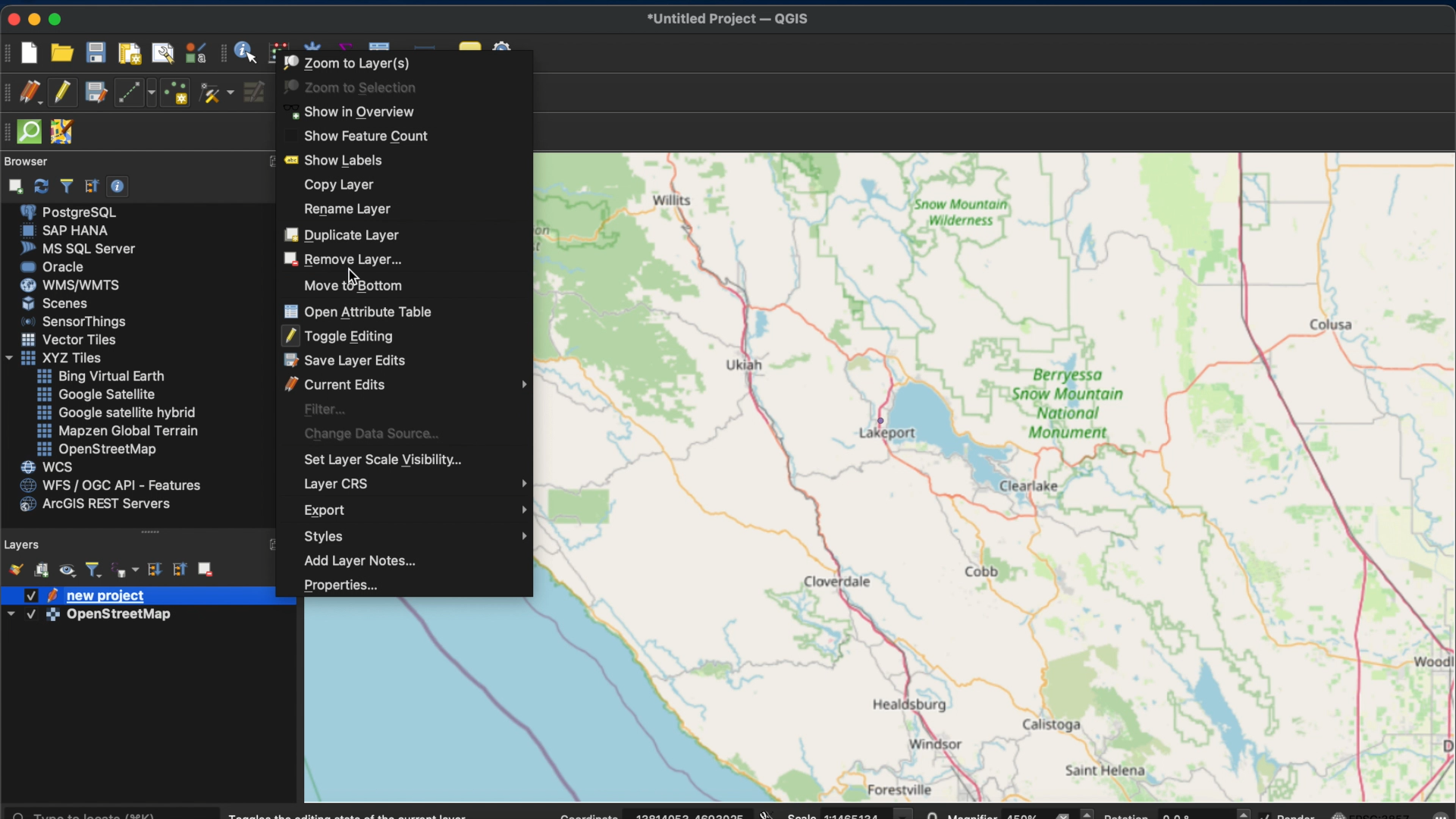 The height and width of the screenshot is (819, 1456). Describe the element at coordinates (345, 360) in the screenshot. I see `save layer edits` at that location.